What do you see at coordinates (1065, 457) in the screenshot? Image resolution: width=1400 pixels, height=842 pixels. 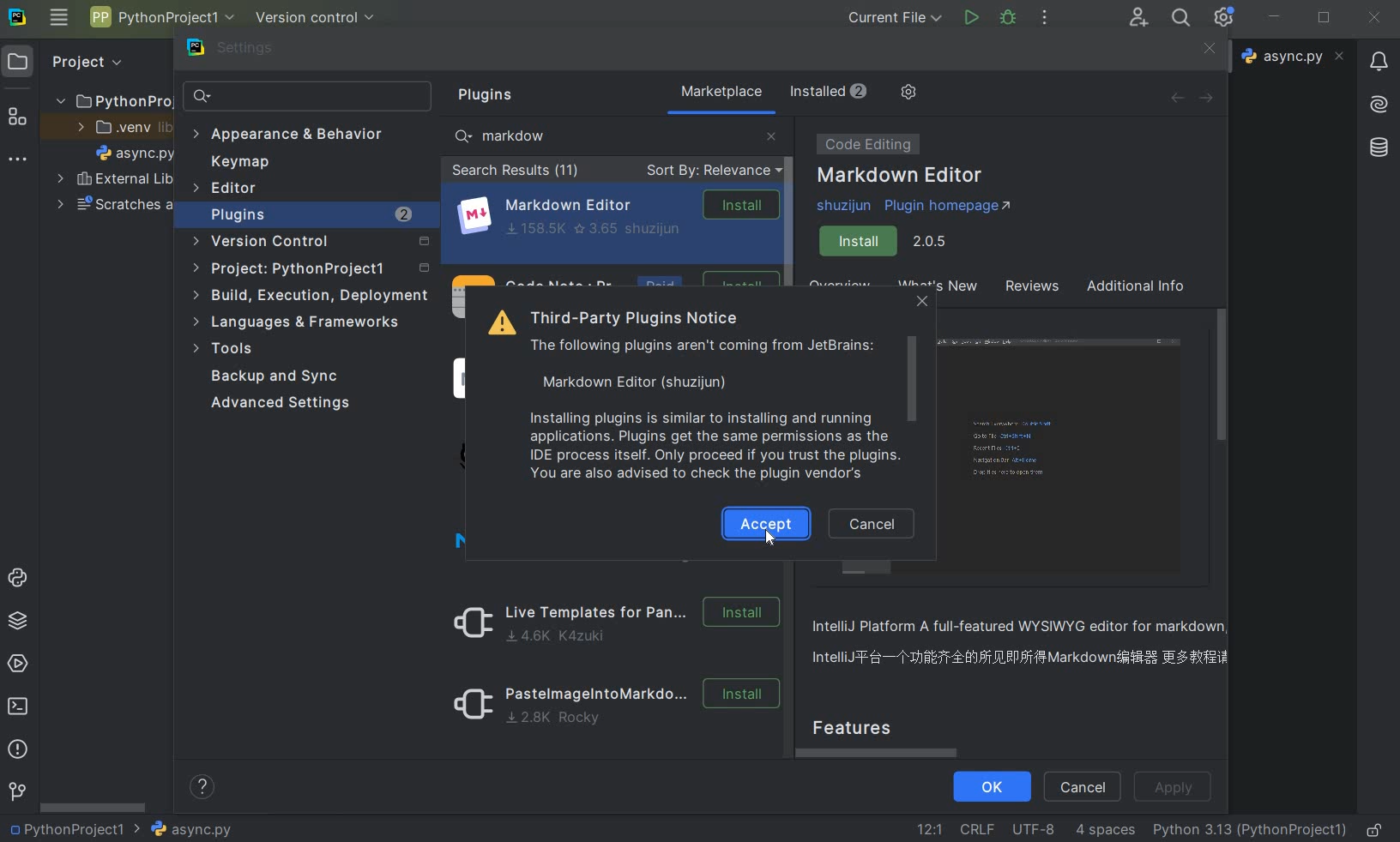 I see `editor view` at bounding box center [1065, 457].